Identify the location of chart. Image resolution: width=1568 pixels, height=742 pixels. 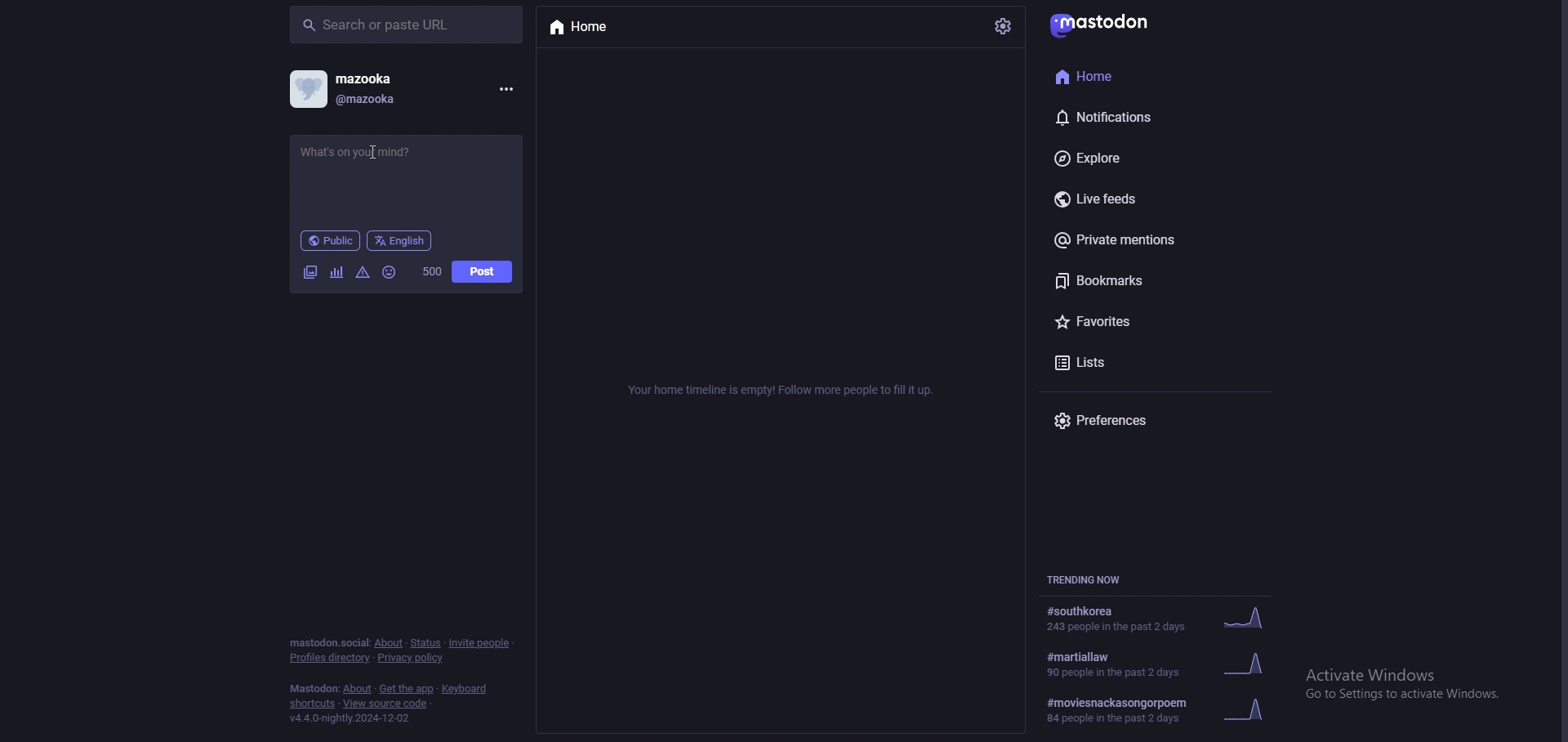
(337, 272).